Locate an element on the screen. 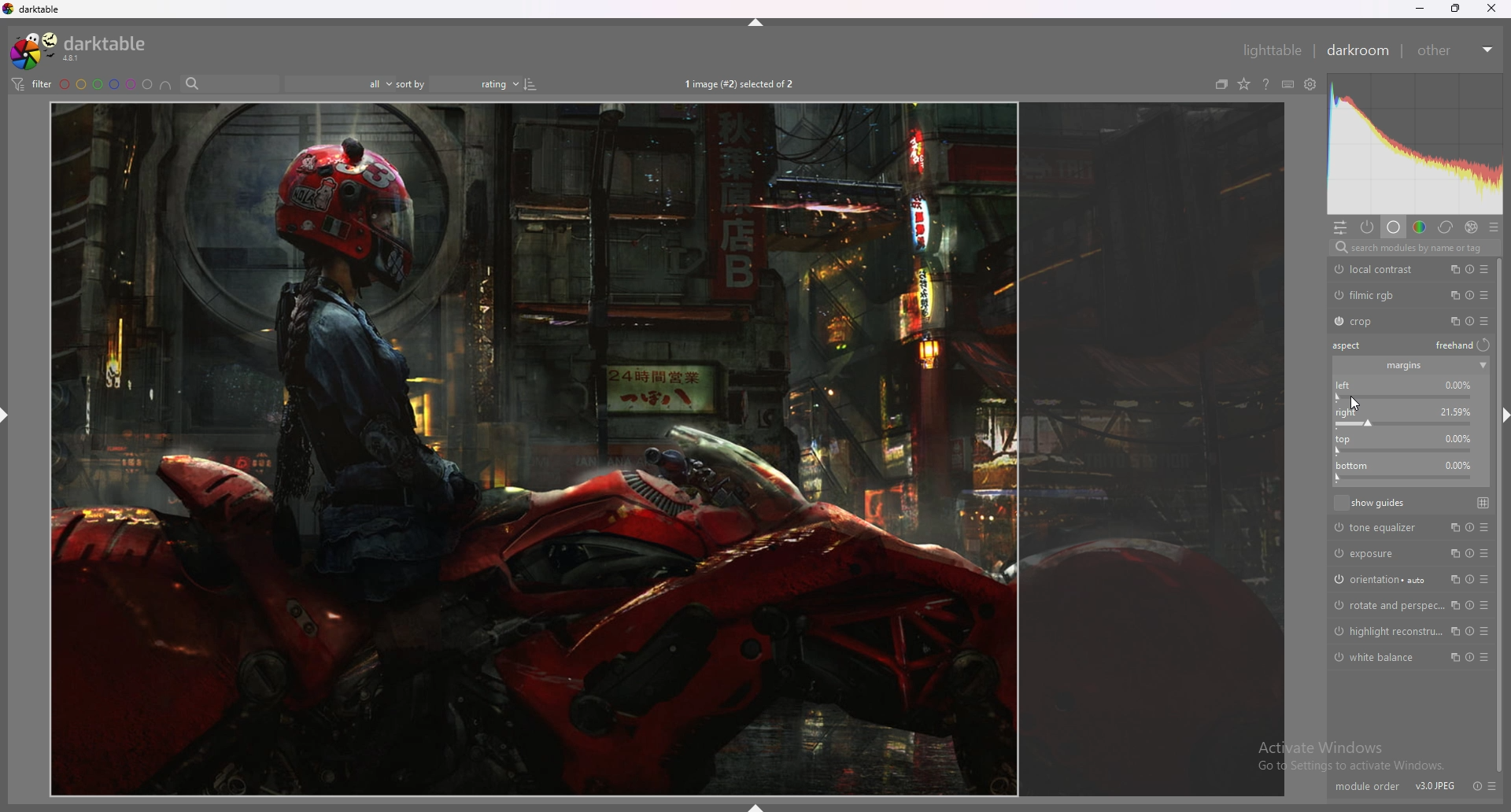 The width and height of the screenshot is (1511, 812). color label is located at coordinates (106, 83).